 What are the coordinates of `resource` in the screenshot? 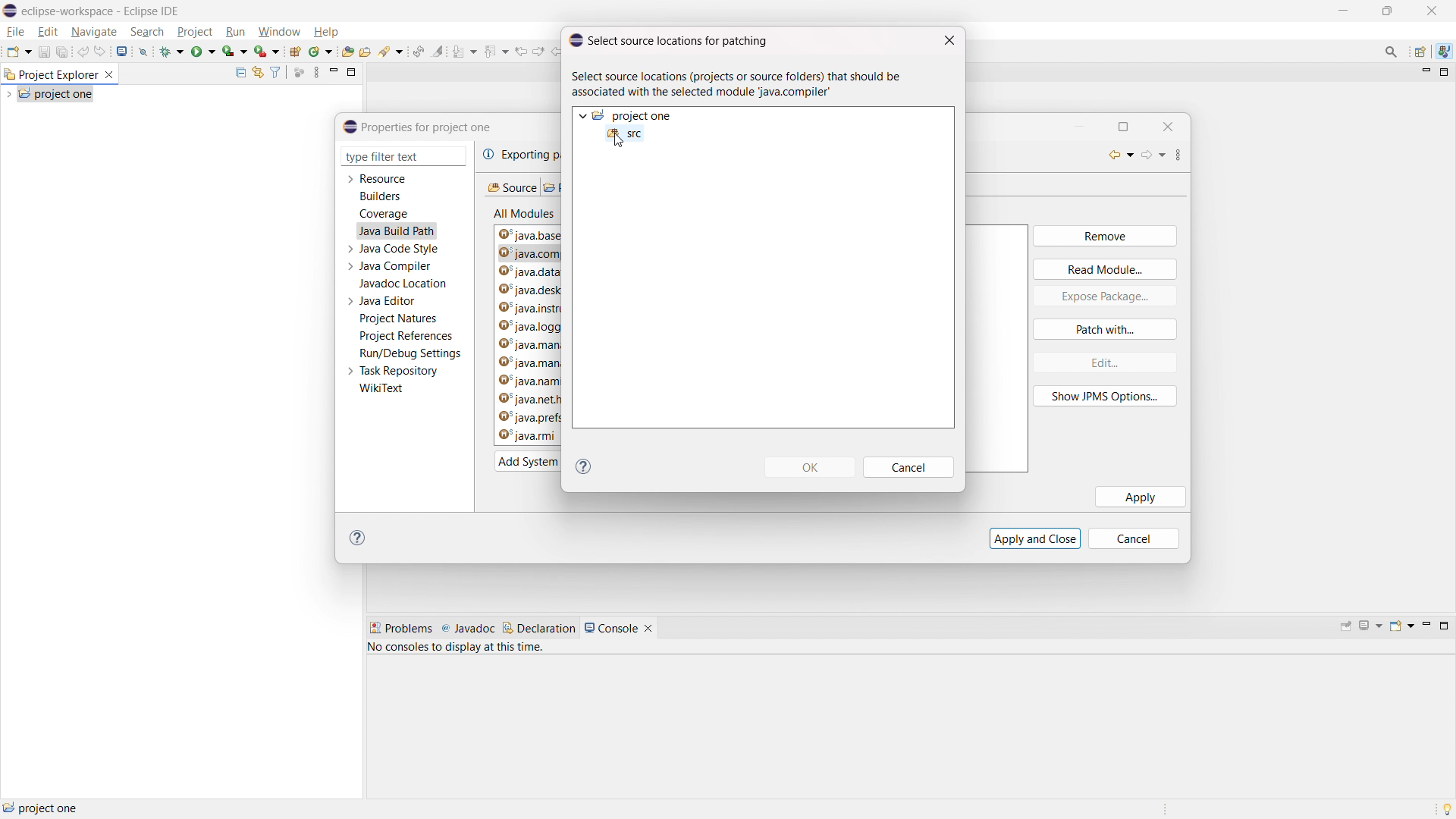 It's located at (384, 178).